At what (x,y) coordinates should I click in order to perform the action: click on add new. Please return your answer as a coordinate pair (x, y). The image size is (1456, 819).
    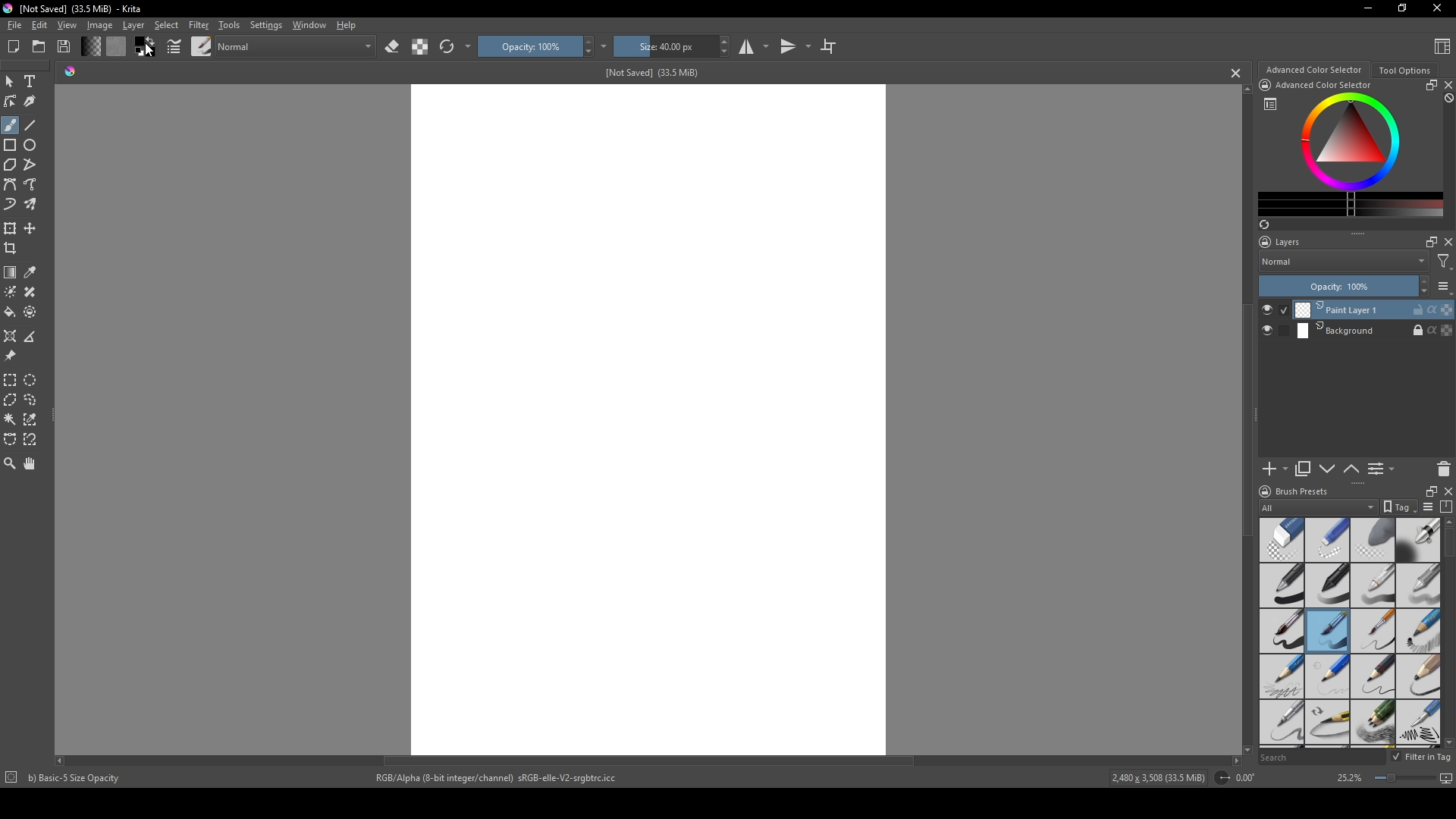
    Looking at the image, I should click on (1274, 469).